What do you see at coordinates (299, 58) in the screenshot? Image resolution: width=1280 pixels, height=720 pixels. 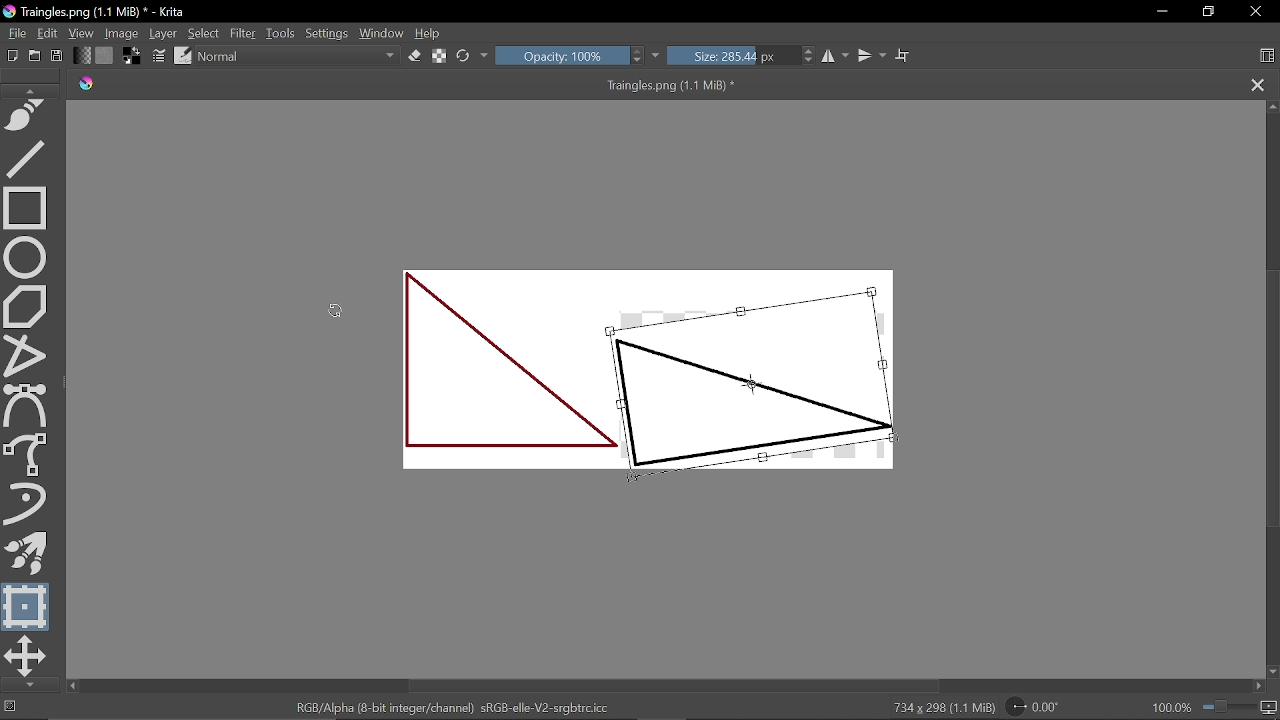 I see `Normal` at bounding box center [299, 58].